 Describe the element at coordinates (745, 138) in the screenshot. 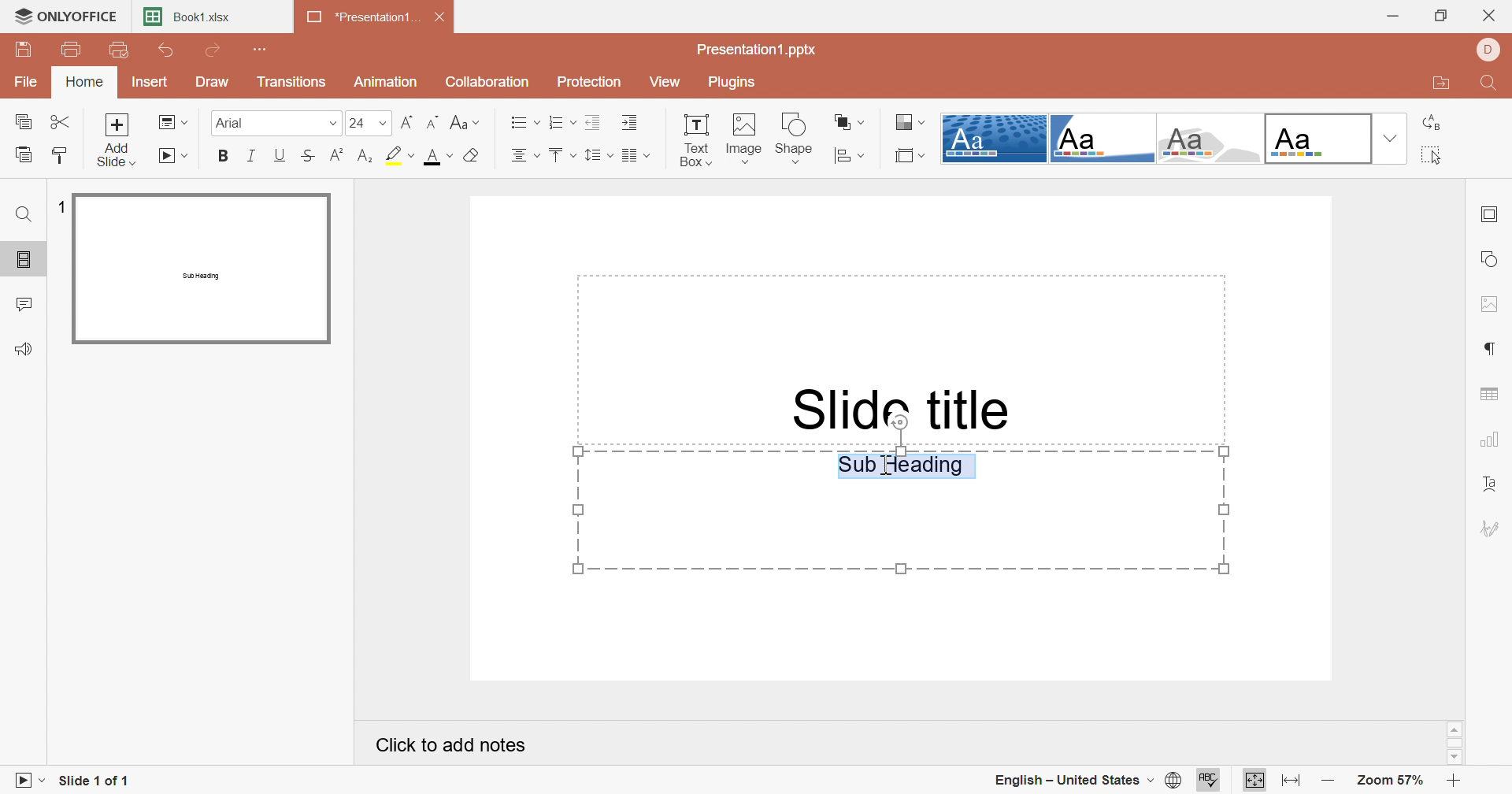

I see `Image` at that location.